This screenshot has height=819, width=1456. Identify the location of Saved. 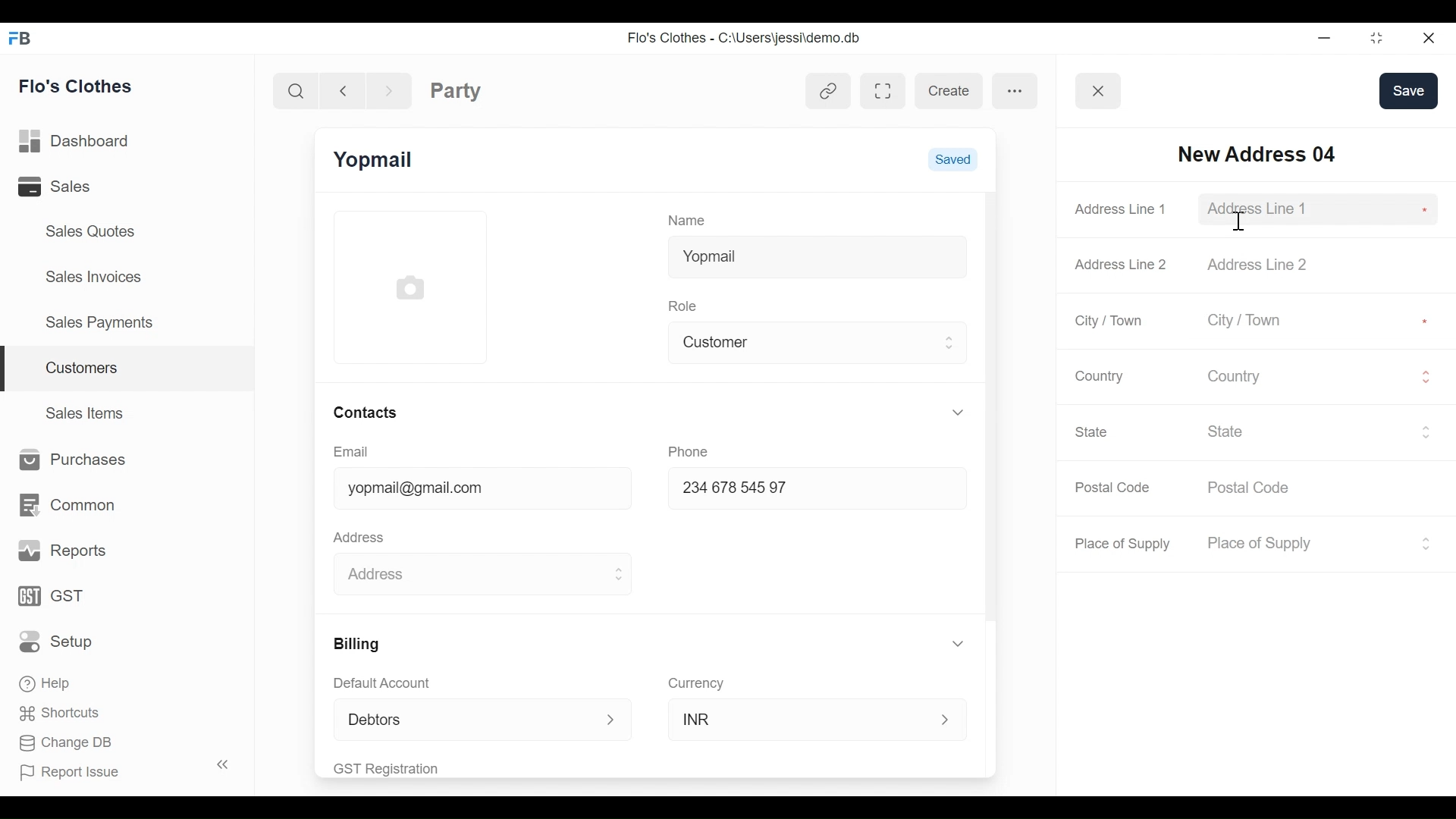
(952, 158).